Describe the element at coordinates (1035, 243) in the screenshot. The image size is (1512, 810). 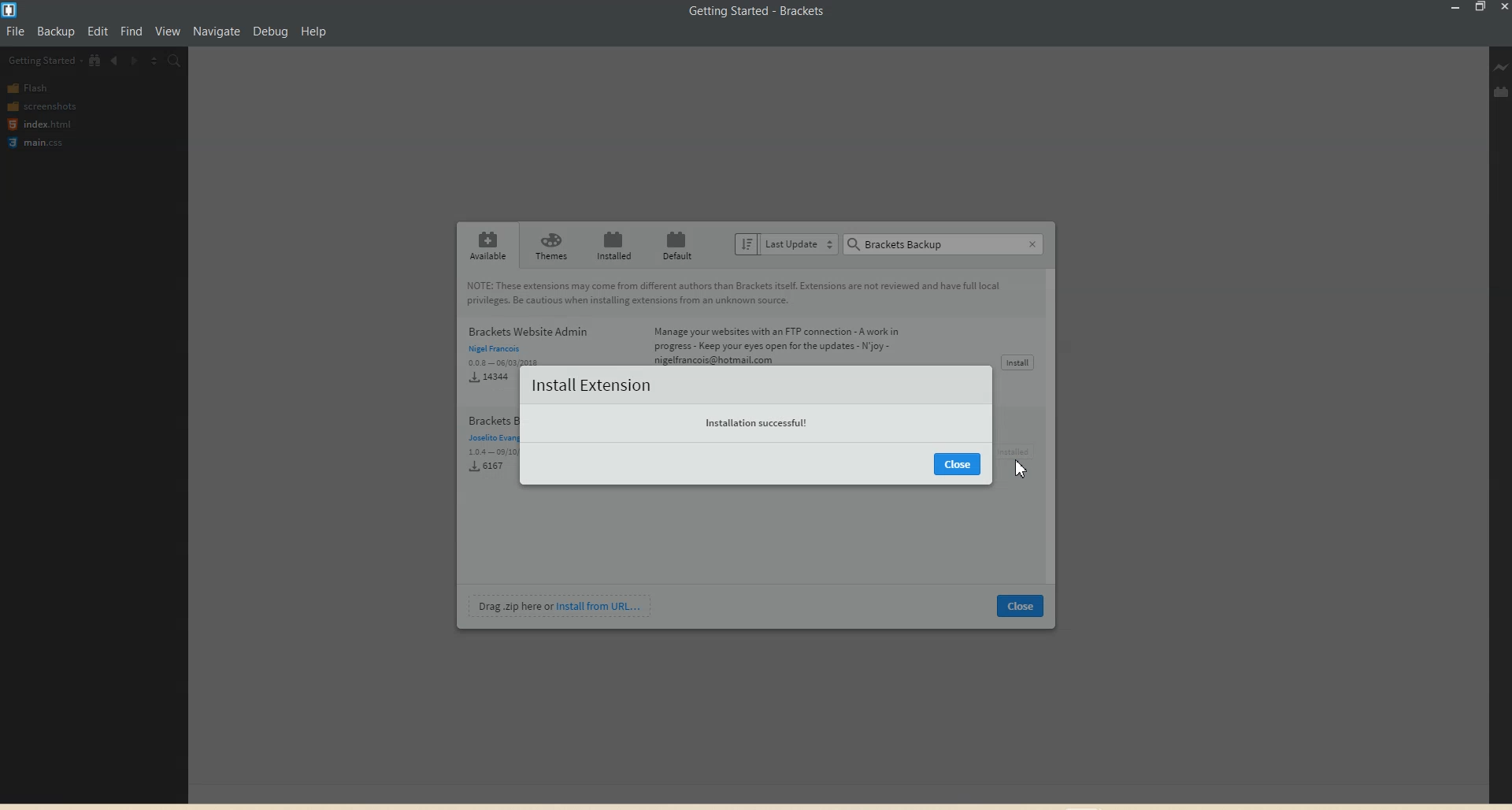
I see `Close` at that location.